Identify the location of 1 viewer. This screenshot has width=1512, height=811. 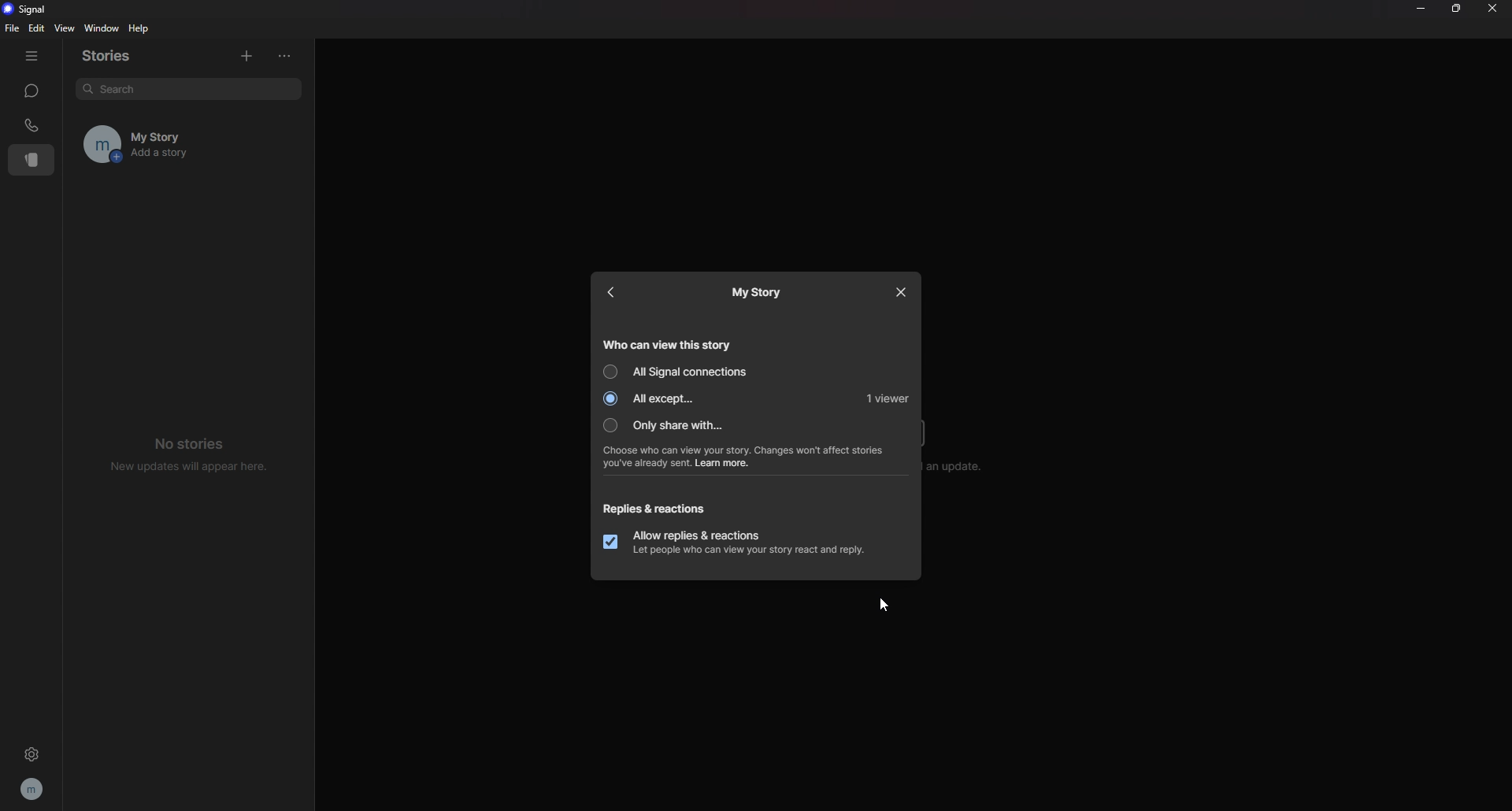
(883, 397).